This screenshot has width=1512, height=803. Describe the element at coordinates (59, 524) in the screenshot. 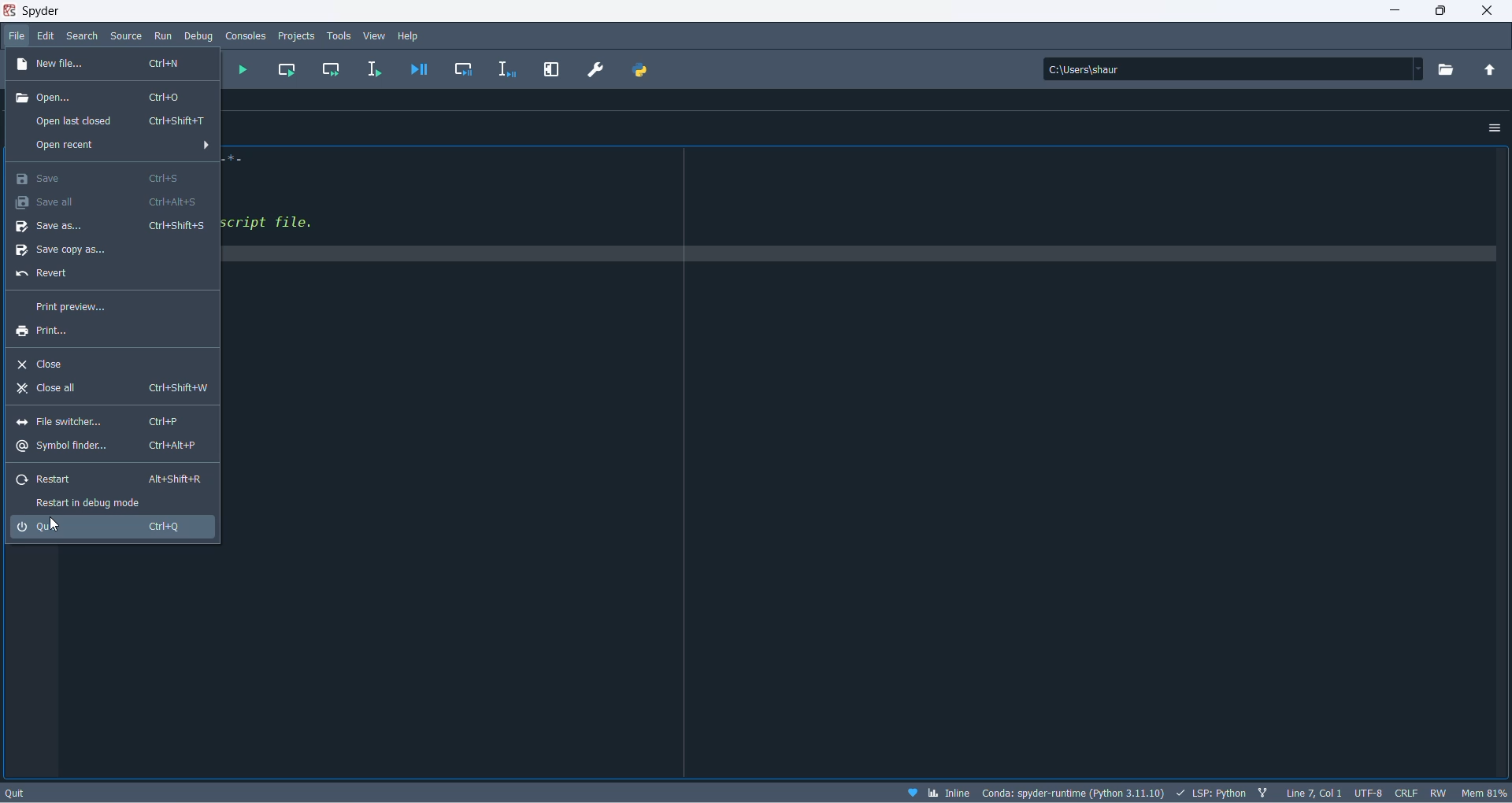

I see `cursor` at that location.